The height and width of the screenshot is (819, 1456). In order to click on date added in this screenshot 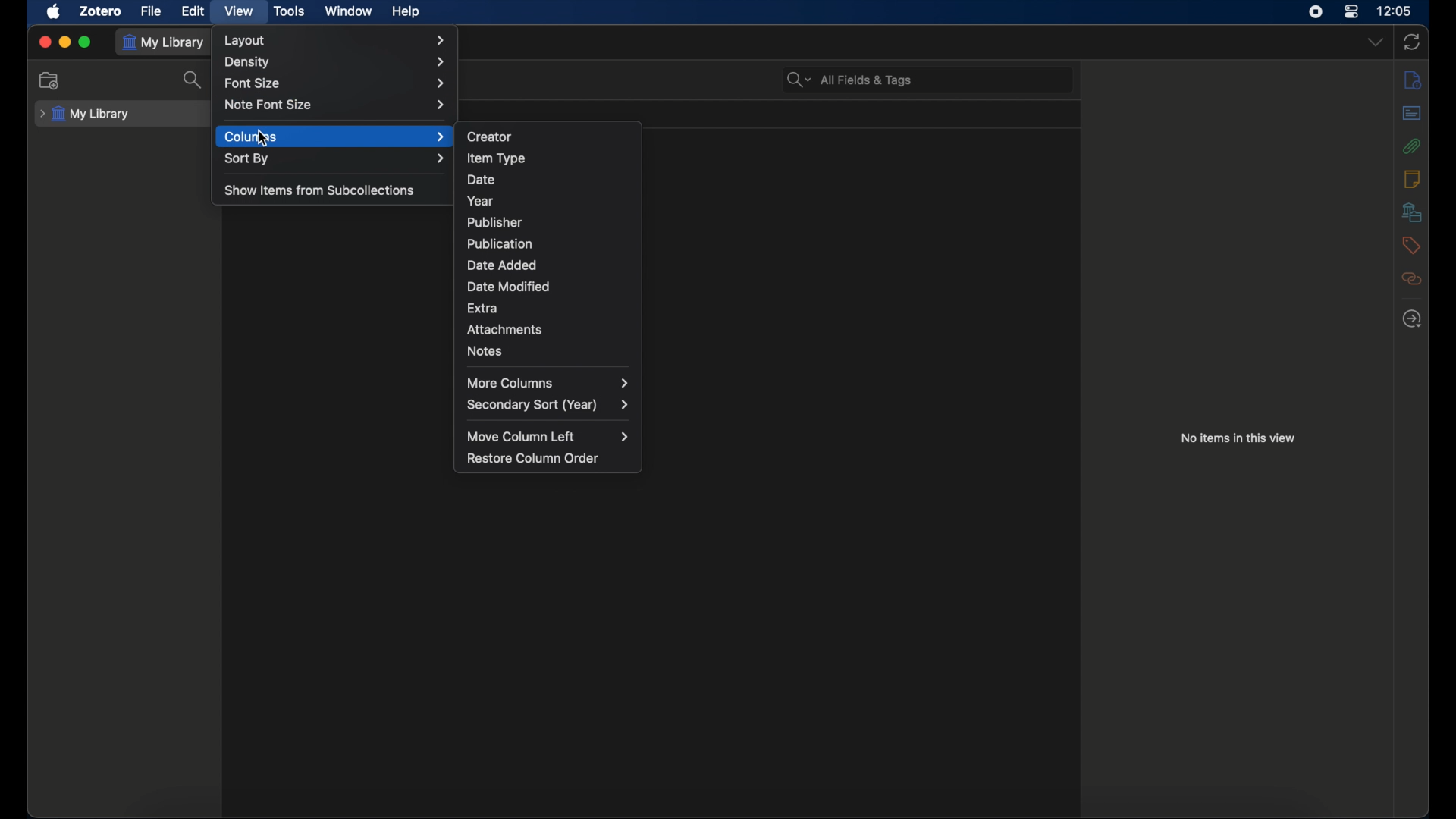, I will do `click(501, 265)`.